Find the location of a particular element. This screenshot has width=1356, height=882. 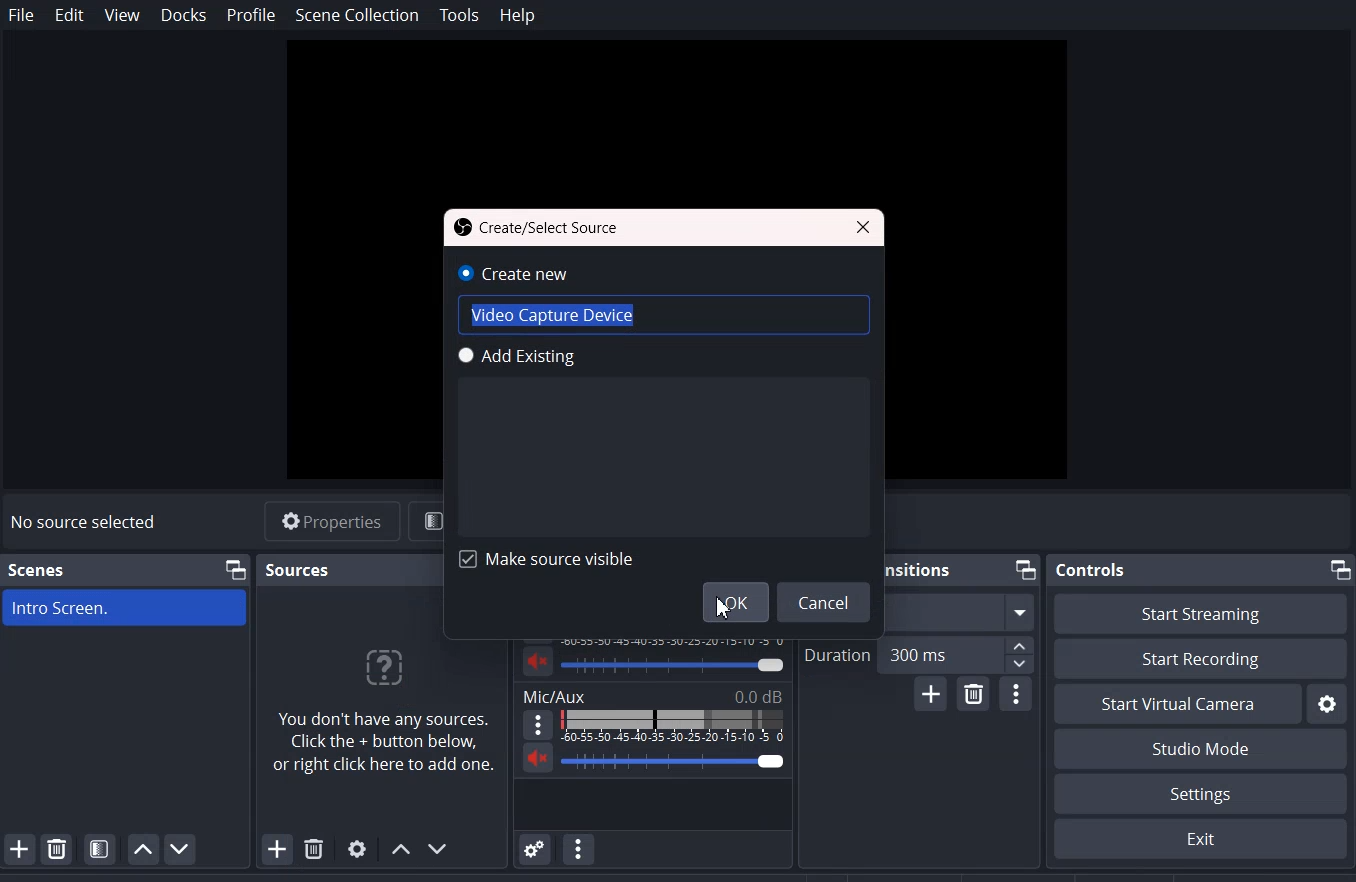

Duration is located at coordinates (919, 653).